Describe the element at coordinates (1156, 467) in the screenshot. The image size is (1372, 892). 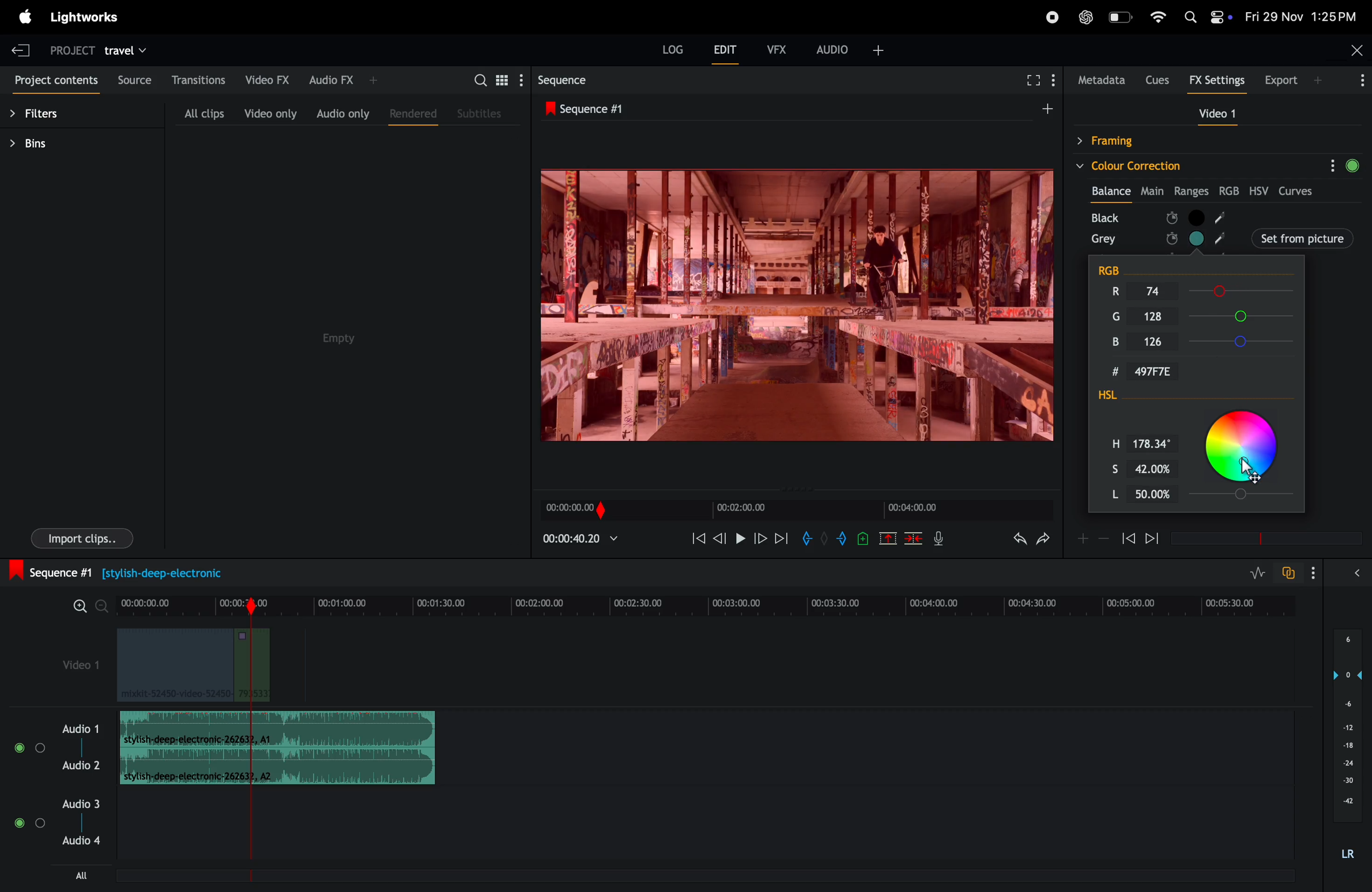
I see `S Input` at that location.